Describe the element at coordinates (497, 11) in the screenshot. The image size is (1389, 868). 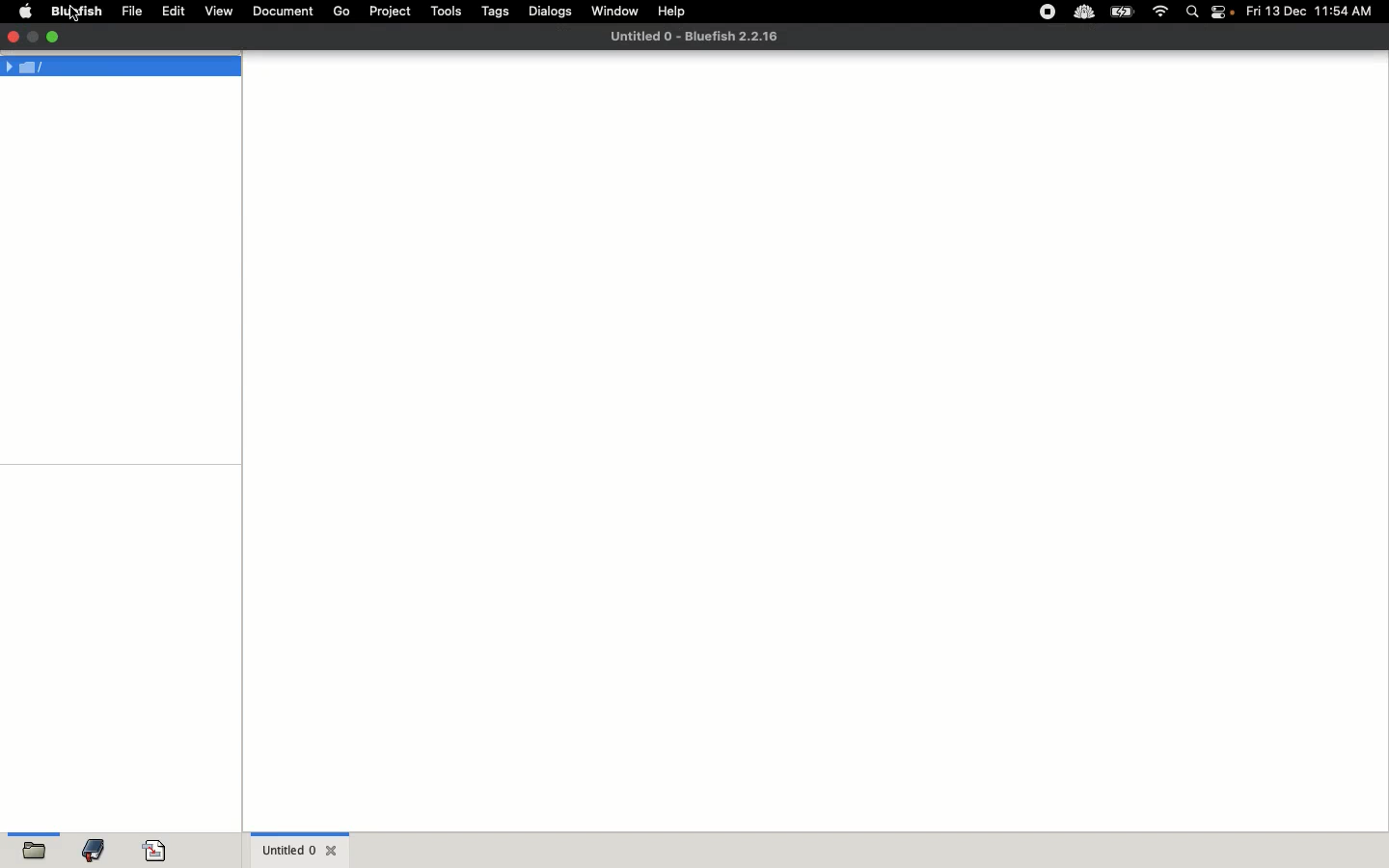
I see `Tags` at that location.